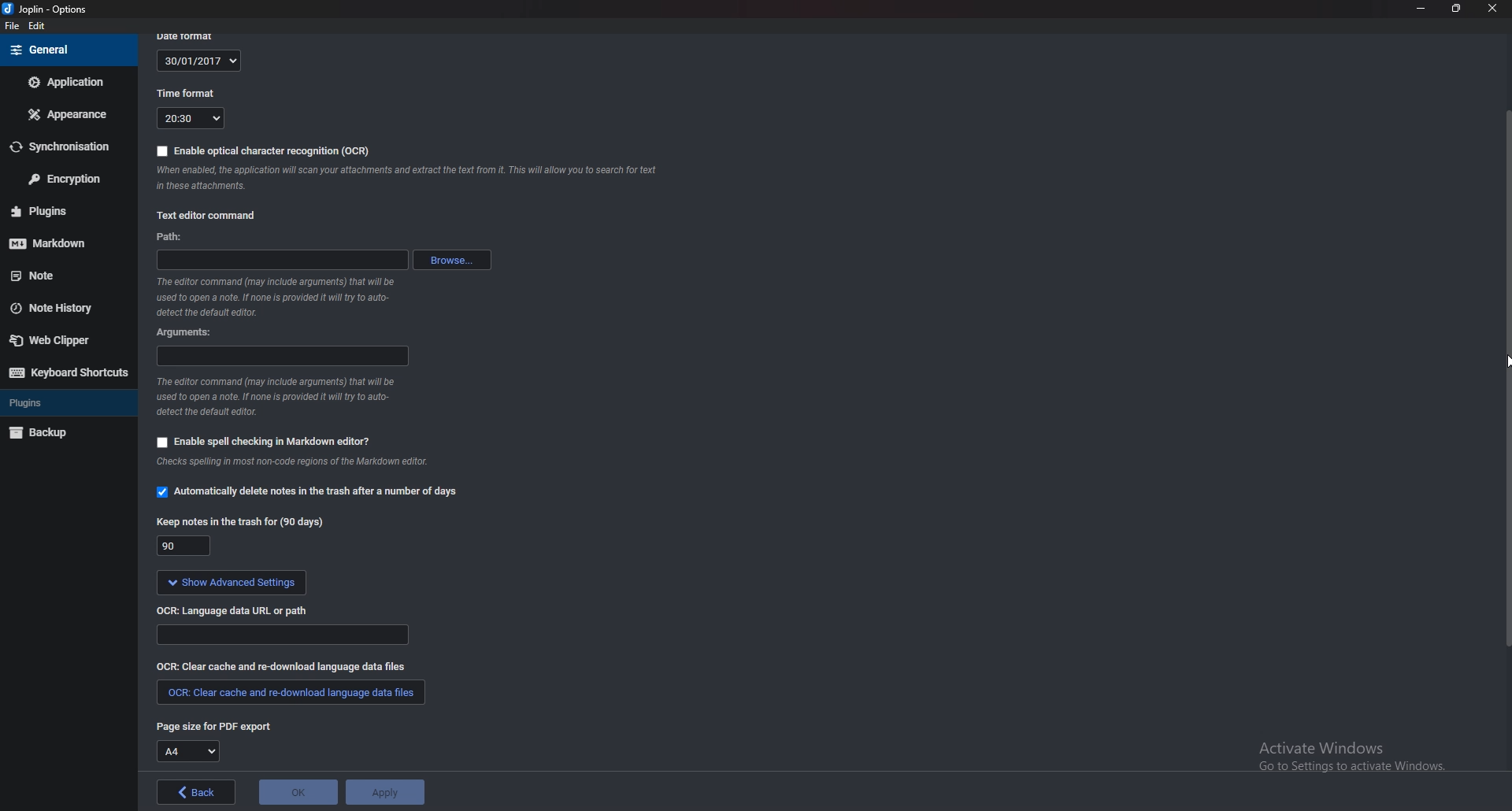  What do you see at coordinates (57, 402) in the screenshot?
I see `Plugins` at bounding box center [57, 402].